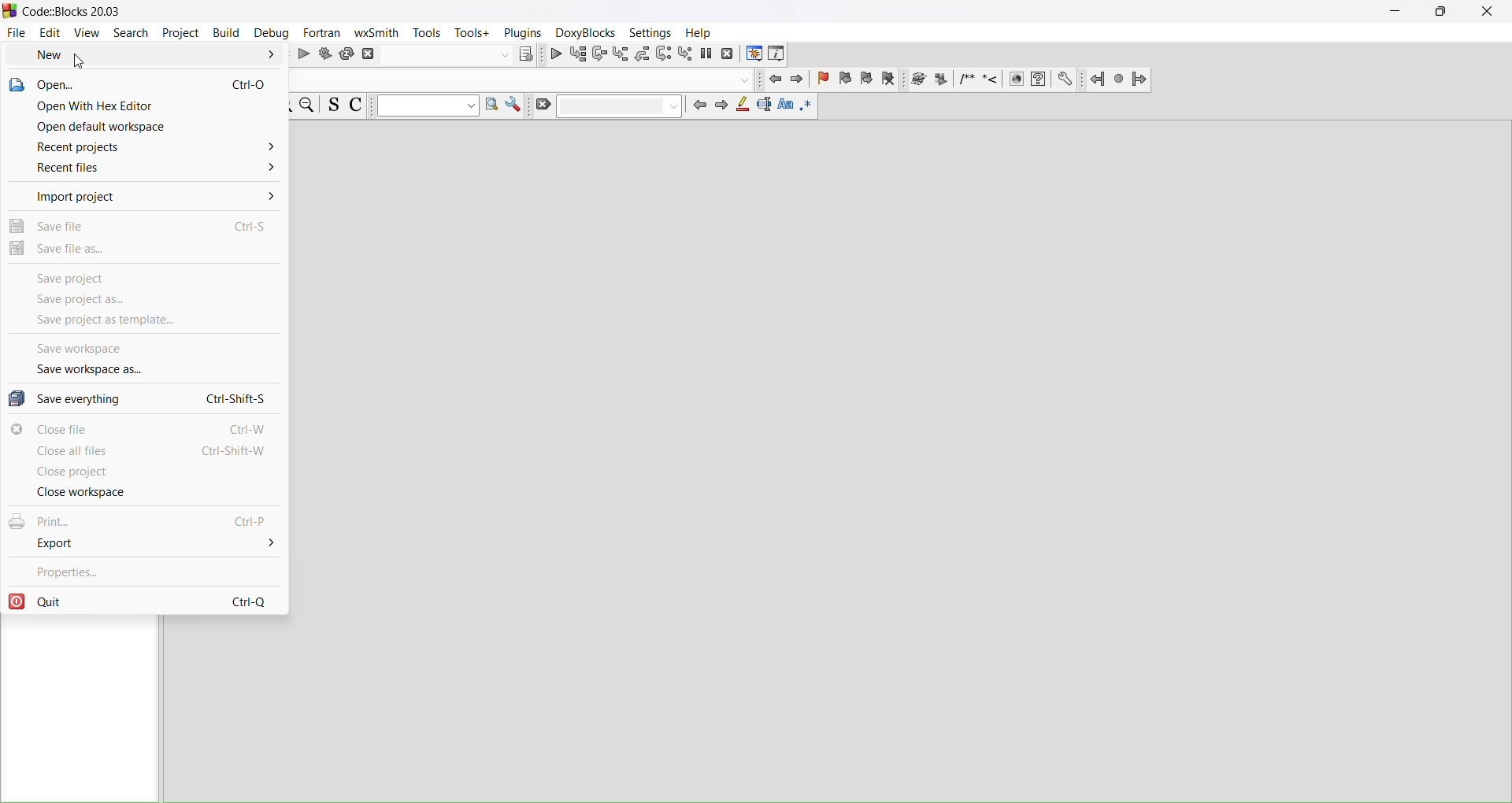 Image resolution: width=1512 pixels, height=803 pixels. Describe the element at coordinates (143, 83) in the screenshot. I see `open` at that location.